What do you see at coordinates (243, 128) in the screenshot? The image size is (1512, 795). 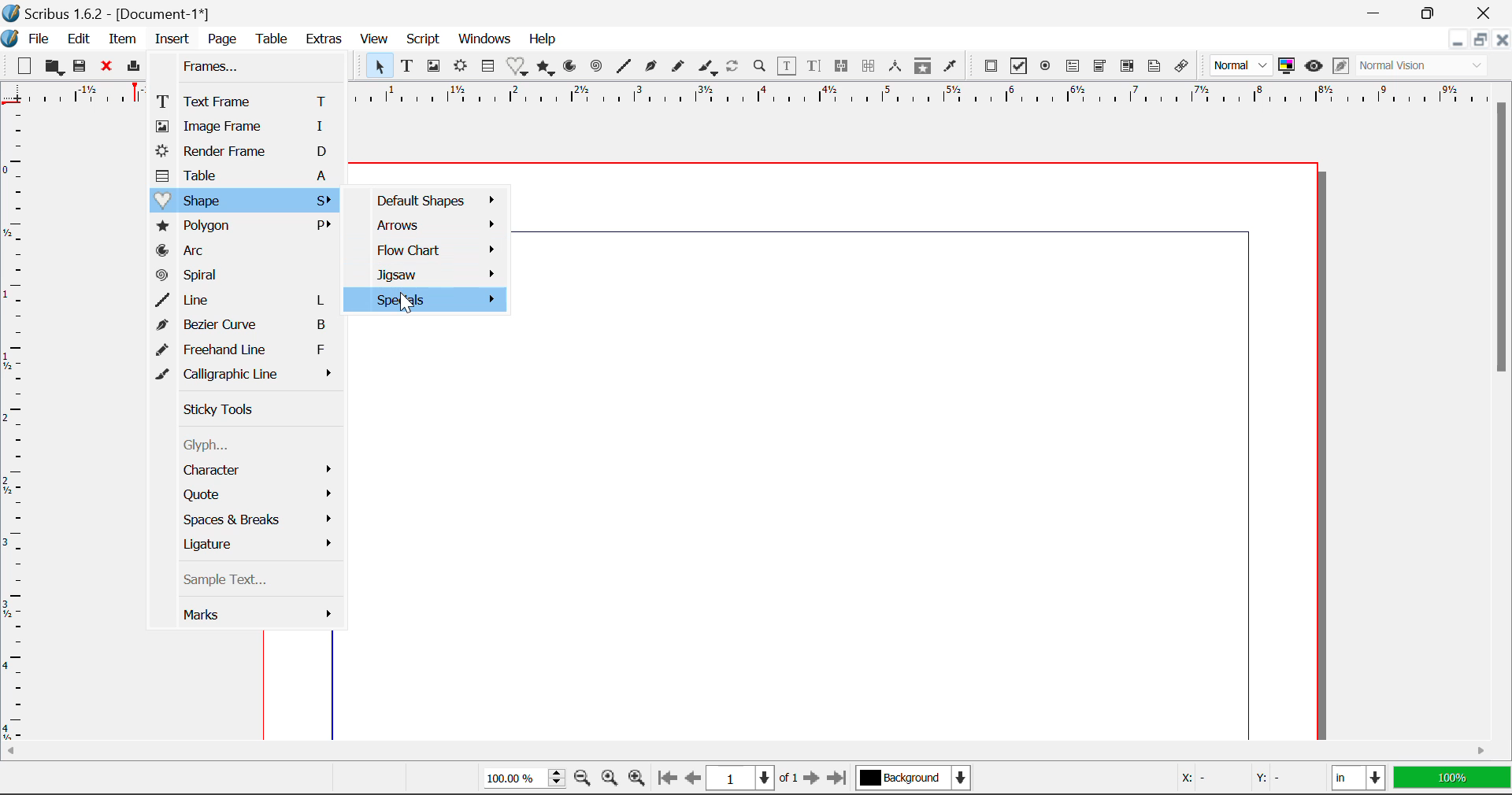 I see `Image Frame` at bounding box center [243, 128].